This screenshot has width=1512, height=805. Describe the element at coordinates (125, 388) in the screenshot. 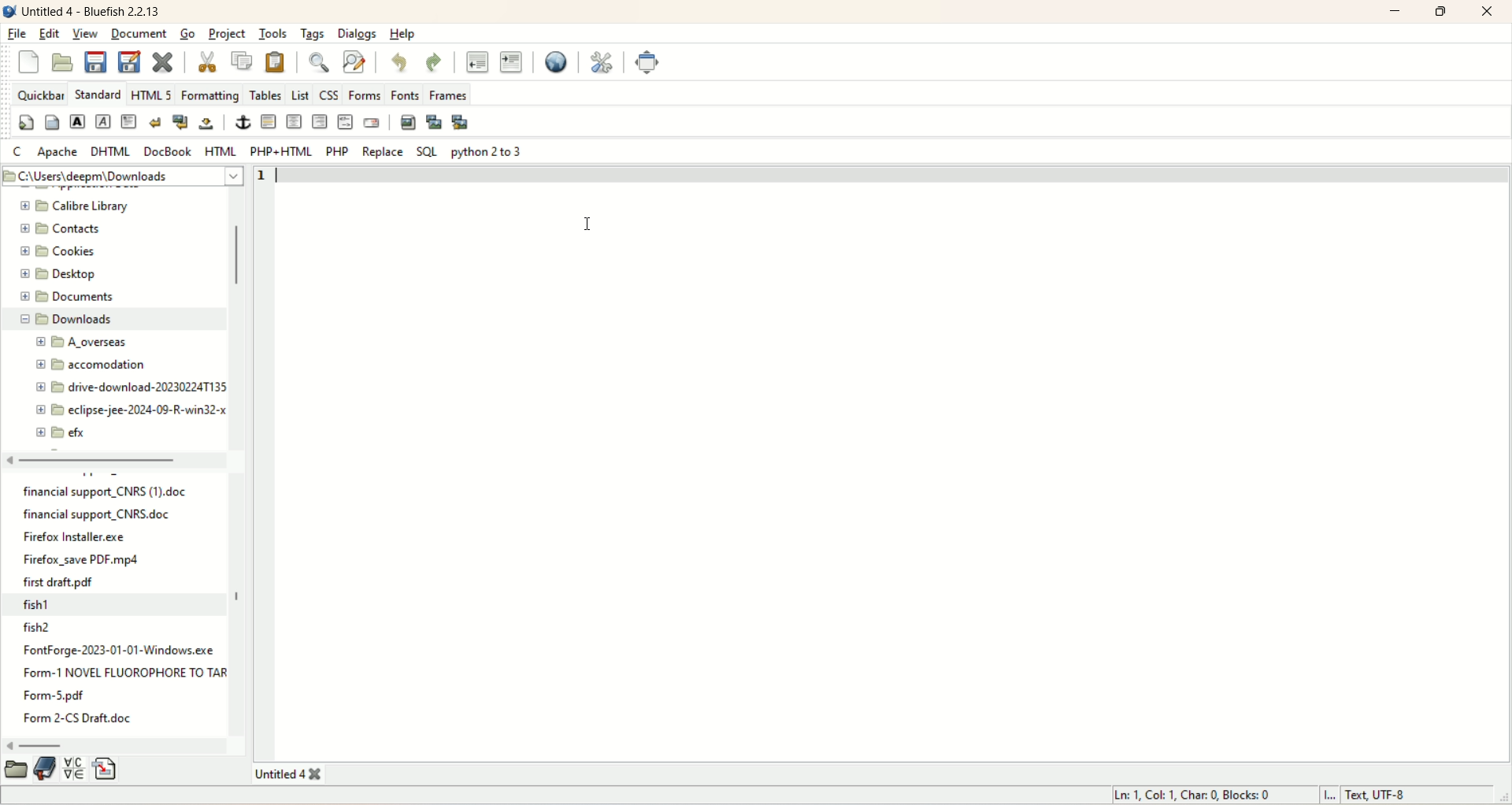

I see `drive` at that location.